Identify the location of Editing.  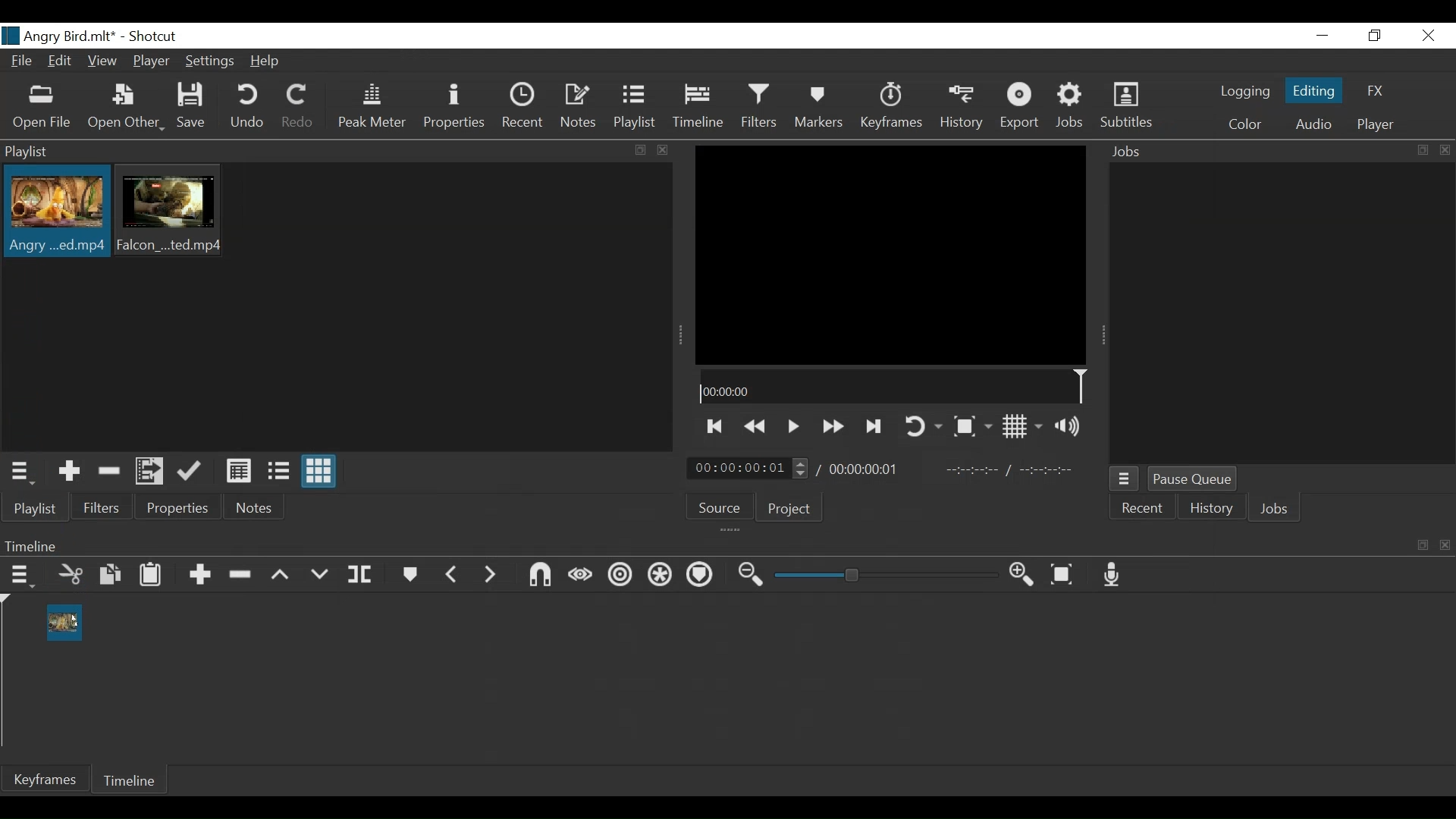
(1317, 89).